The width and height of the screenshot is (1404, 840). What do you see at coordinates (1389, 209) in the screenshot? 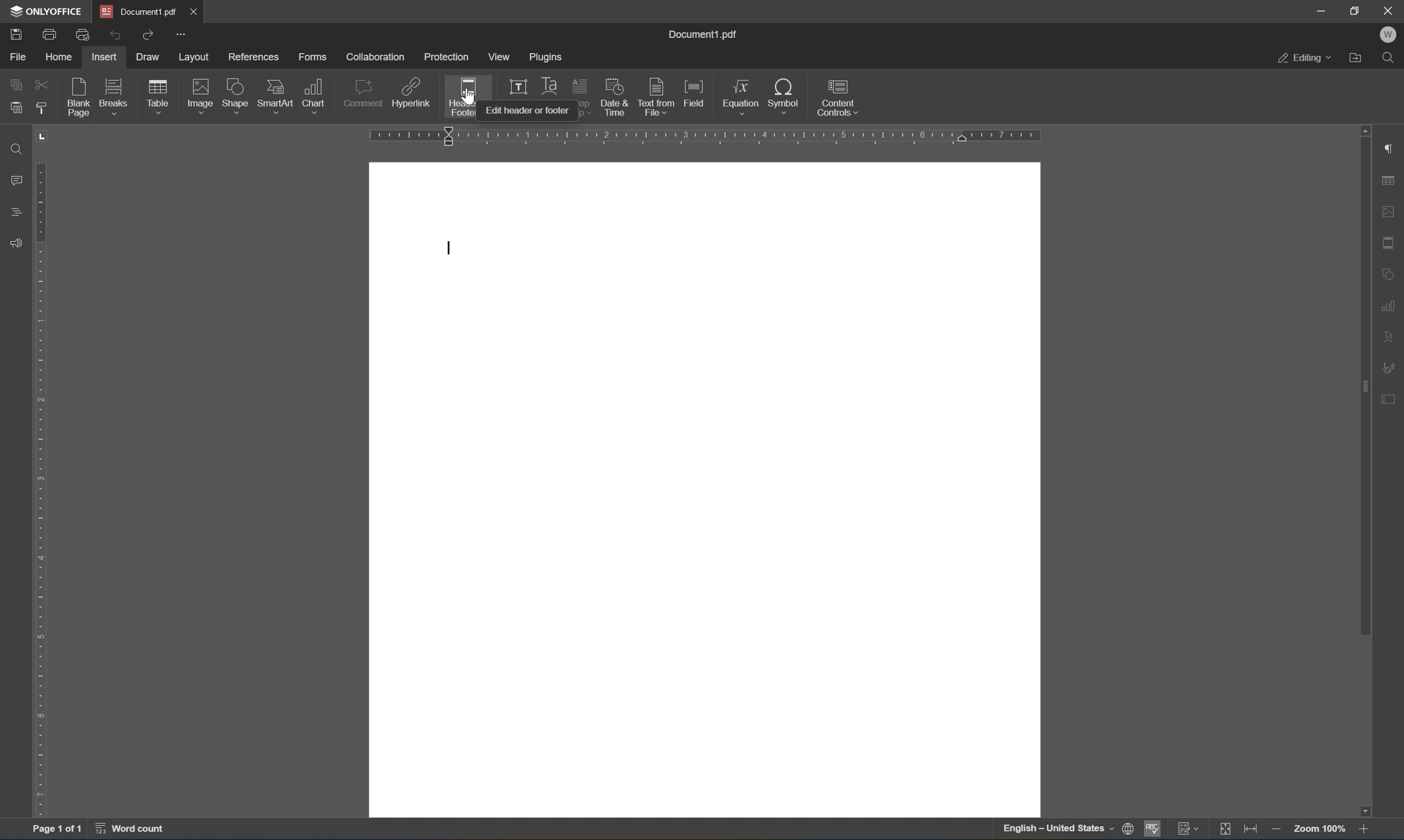
I see `image settings` at bounding box center [1389, 209].